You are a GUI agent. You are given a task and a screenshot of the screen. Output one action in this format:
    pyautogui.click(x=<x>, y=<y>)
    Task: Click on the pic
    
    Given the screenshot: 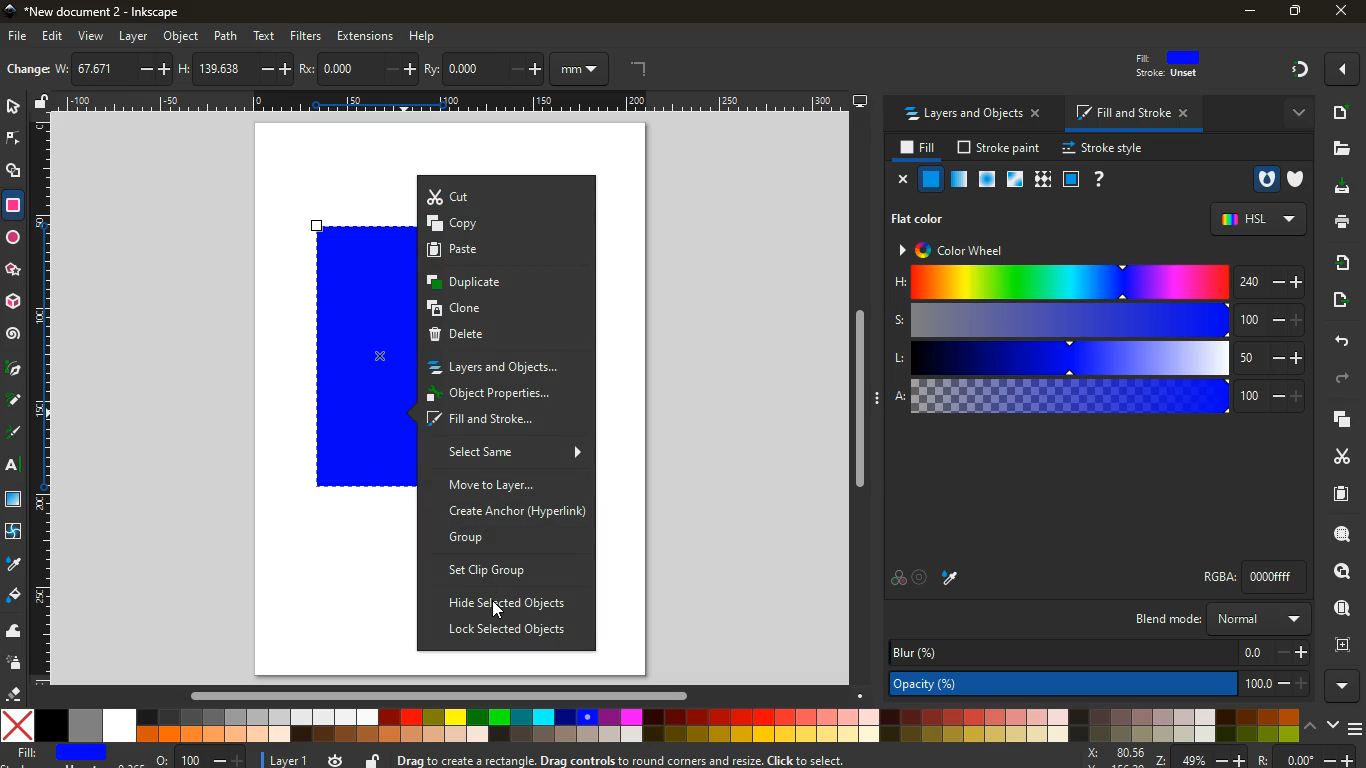 What is the action you would take?
    pyautogui.click(x=14, y=366)
    